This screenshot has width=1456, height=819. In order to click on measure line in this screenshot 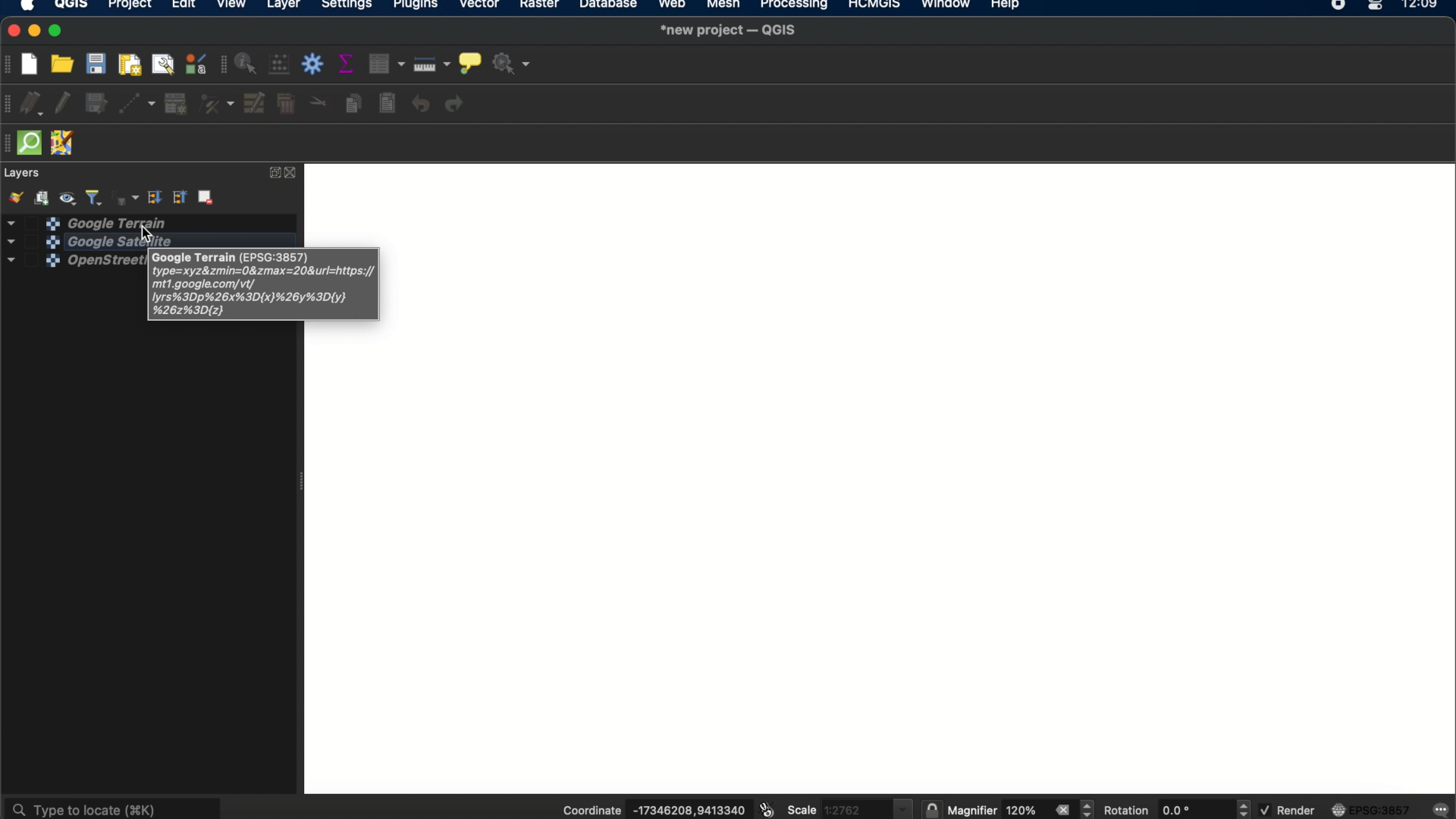, I will do `click(433, 64)`.